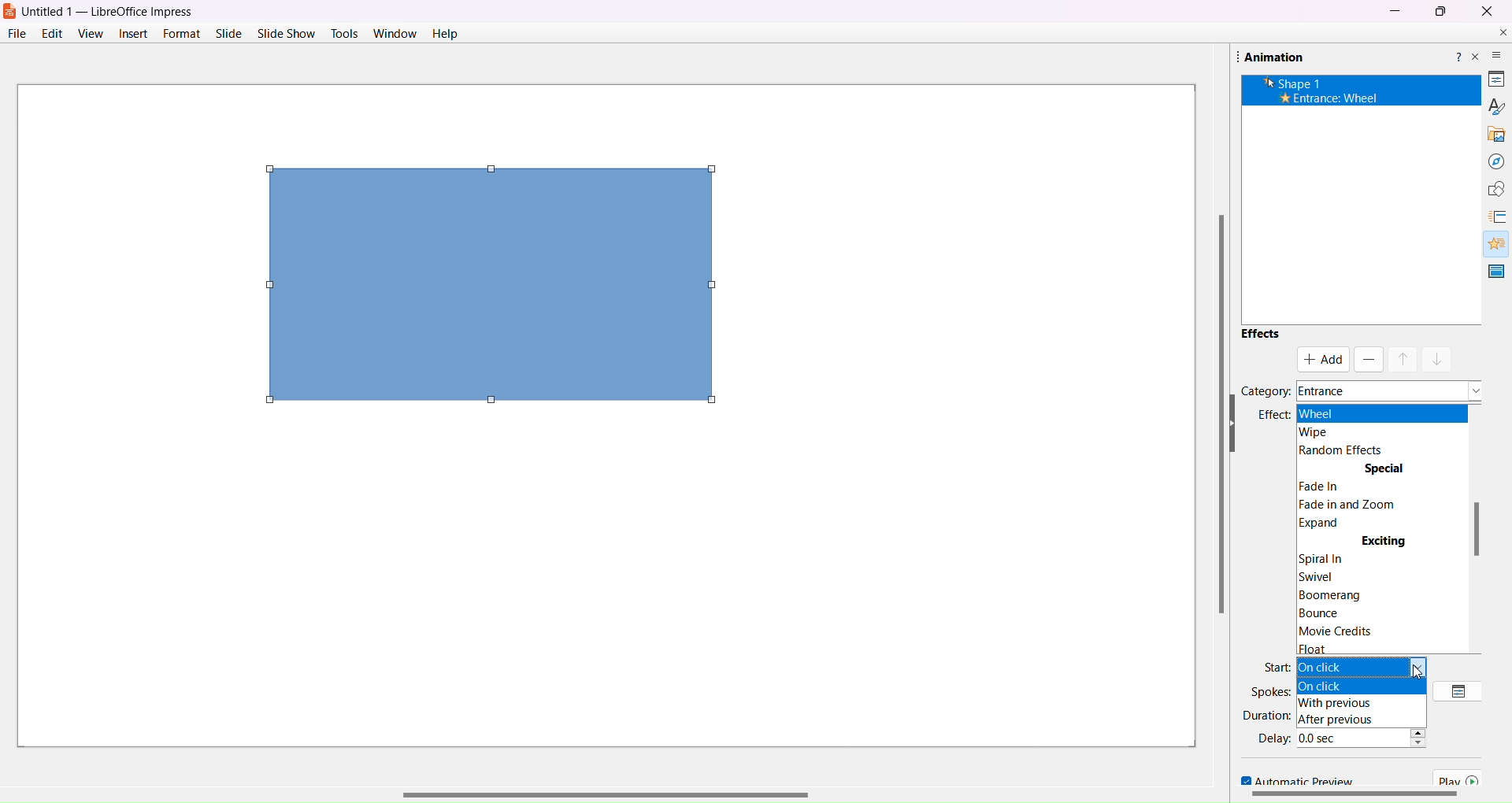 The width and height of the screenshot is (1512, 803). What do you see at coordinates (1352, 796) in the screenshot?
I see `Scroll Bar` at bounding box center [1352, 796].